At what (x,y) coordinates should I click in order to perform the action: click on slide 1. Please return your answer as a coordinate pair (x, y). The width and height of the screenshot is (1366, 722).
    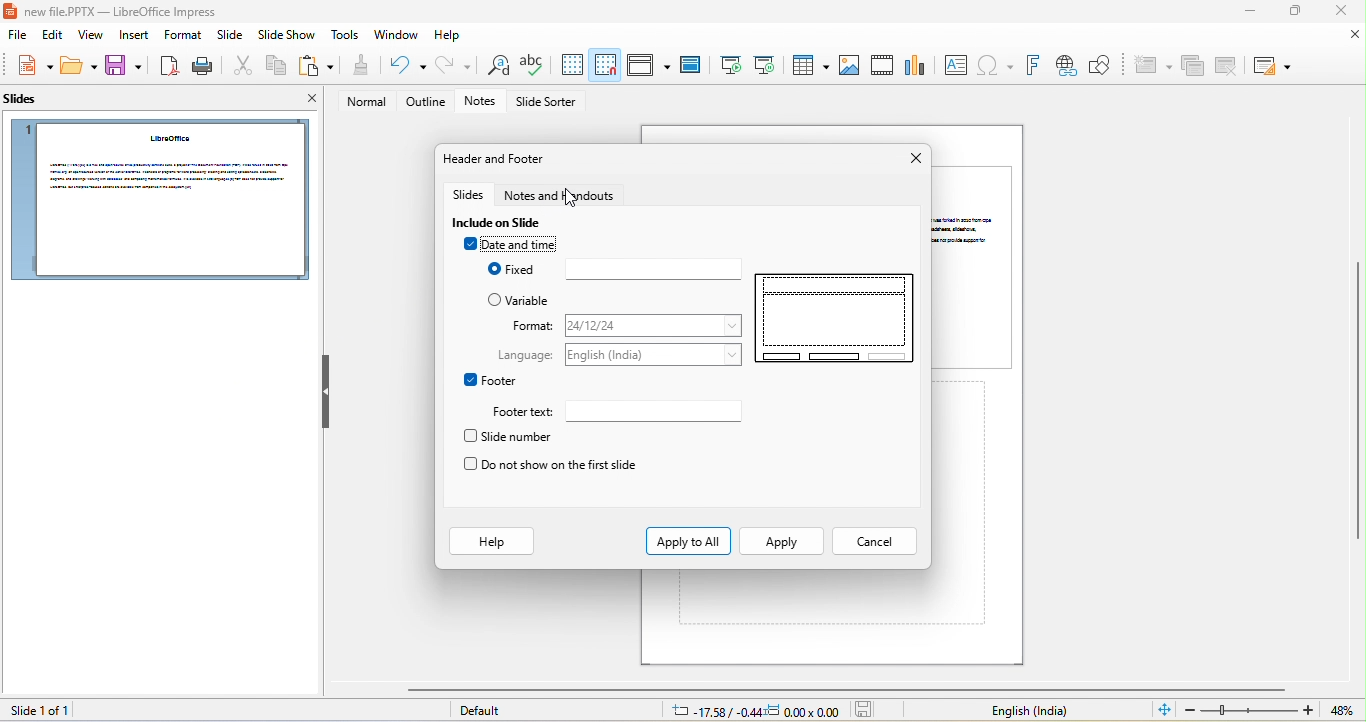
    Looking at the image, I should click on (158, 200).